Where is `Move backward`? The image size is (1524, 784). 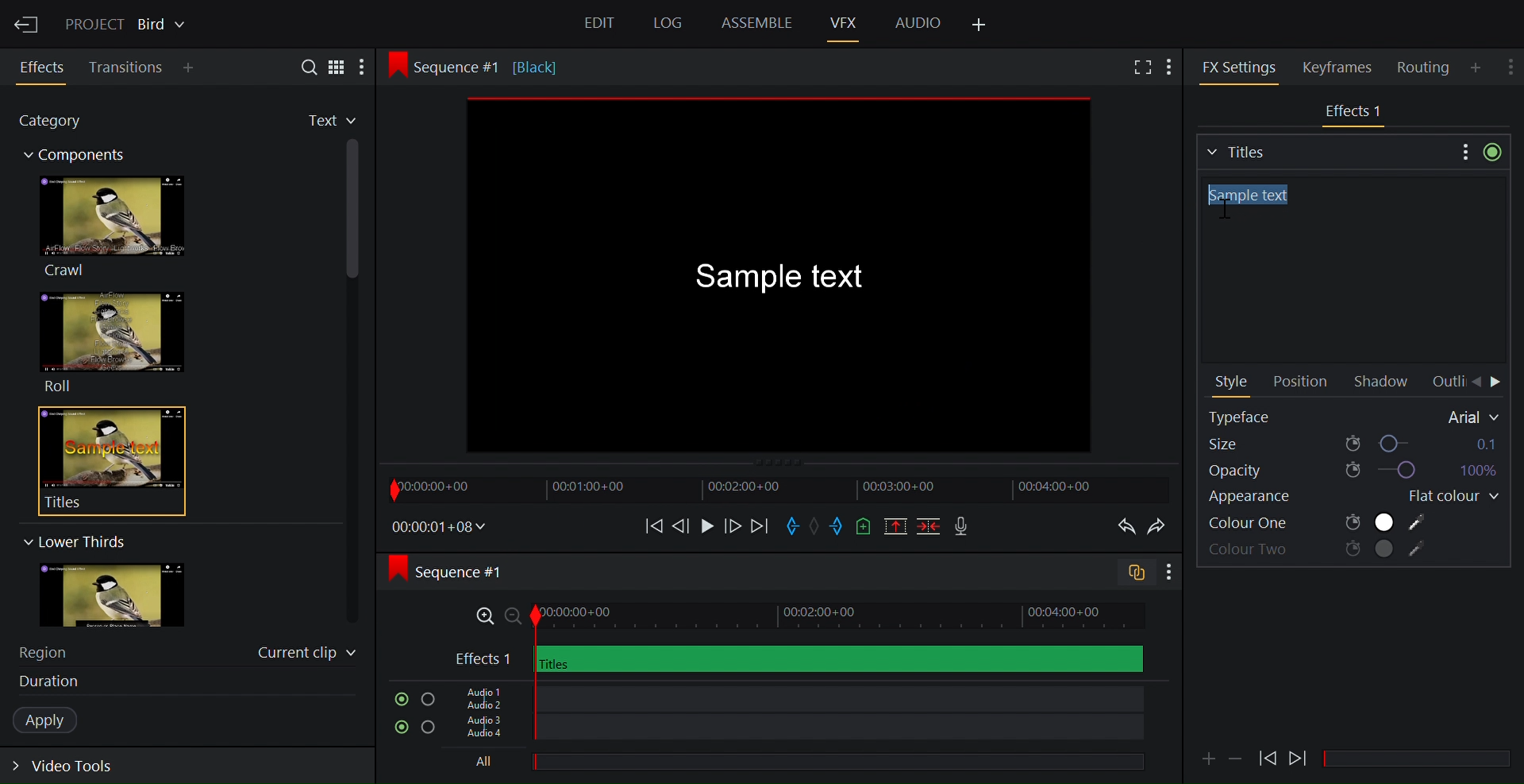 Move backward is located at coordinates (648, 525).